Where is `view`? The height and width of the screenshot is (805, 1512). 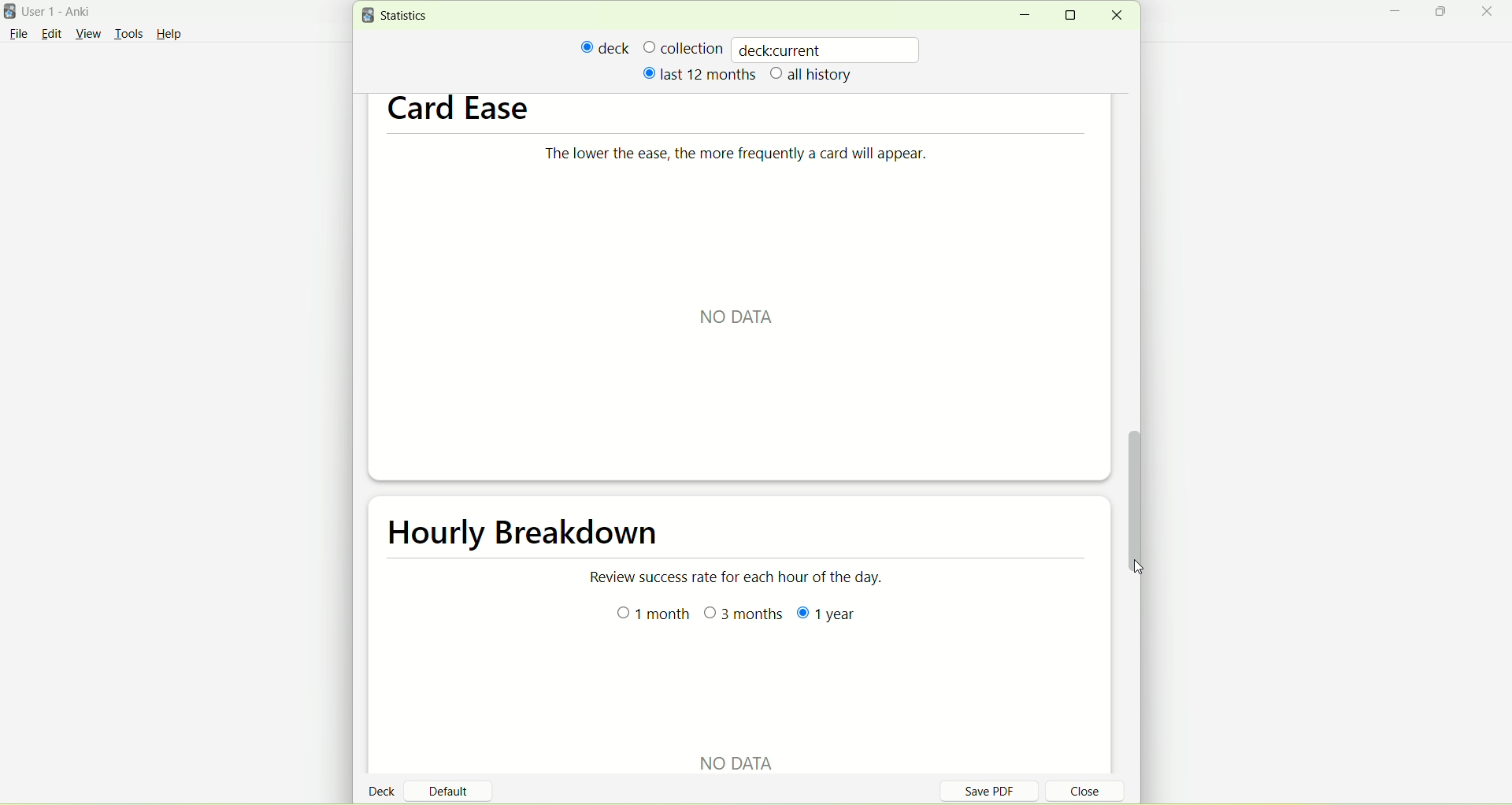
view is located at coordinates (91, 35).